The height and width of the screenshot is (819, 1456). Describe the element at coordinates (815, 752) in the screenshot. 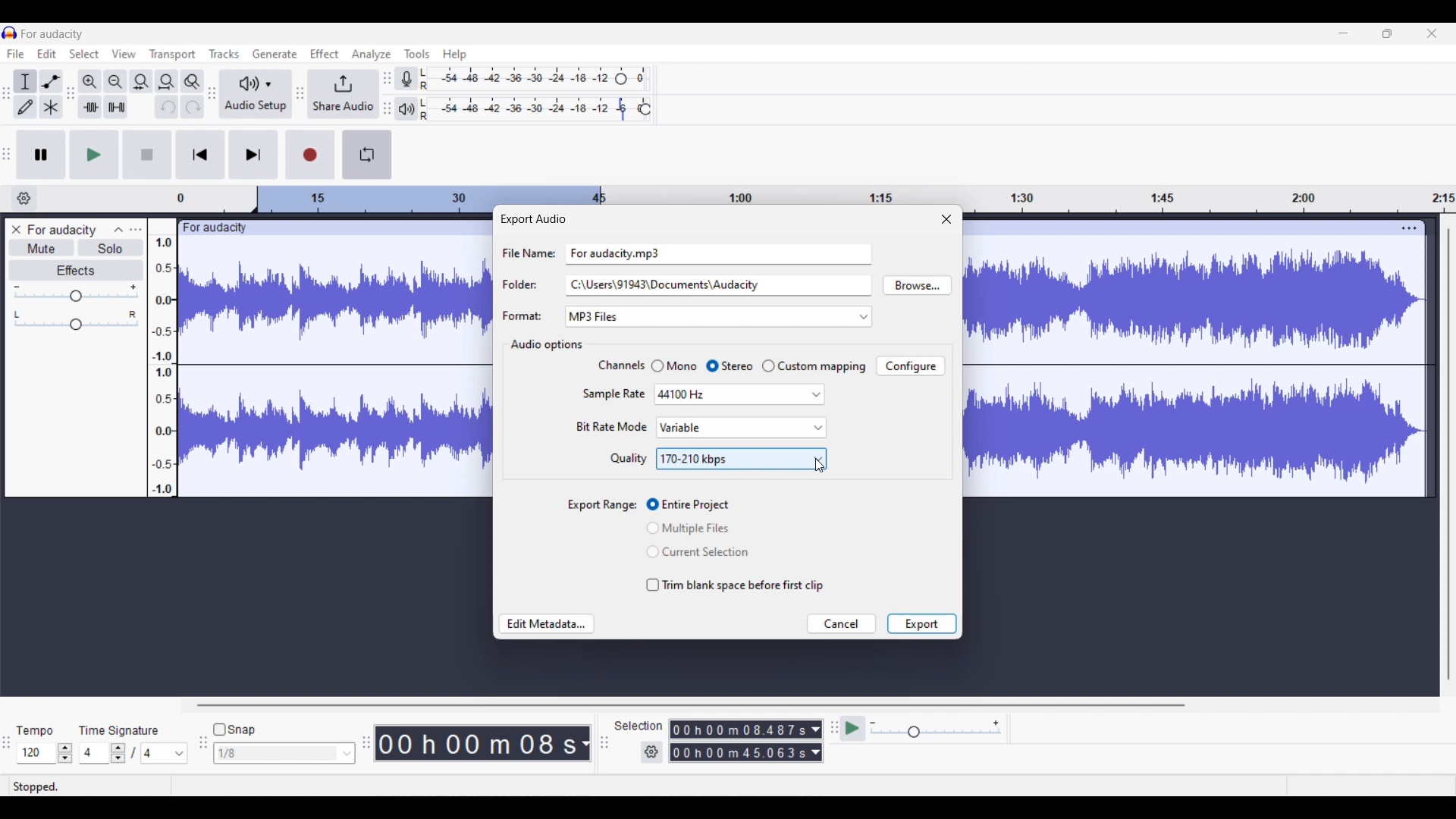

I see `Duration measurement` at that location.